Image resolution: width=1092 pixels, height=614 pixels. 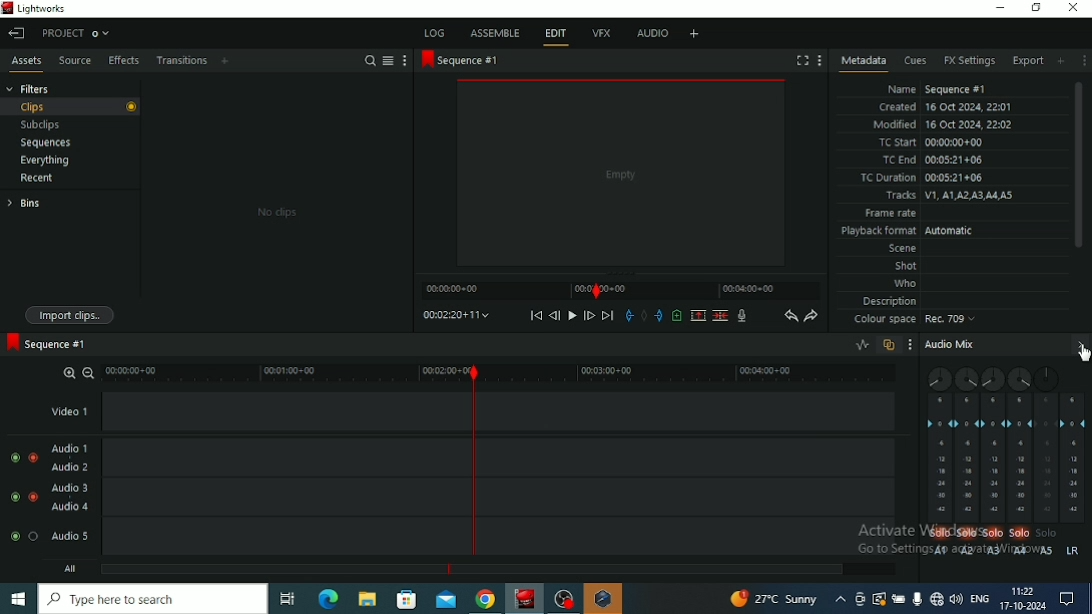 What do you see at coordinates (968, 61) in the screenshot?
I see `FX Settings` at bounding box center [968, 61].